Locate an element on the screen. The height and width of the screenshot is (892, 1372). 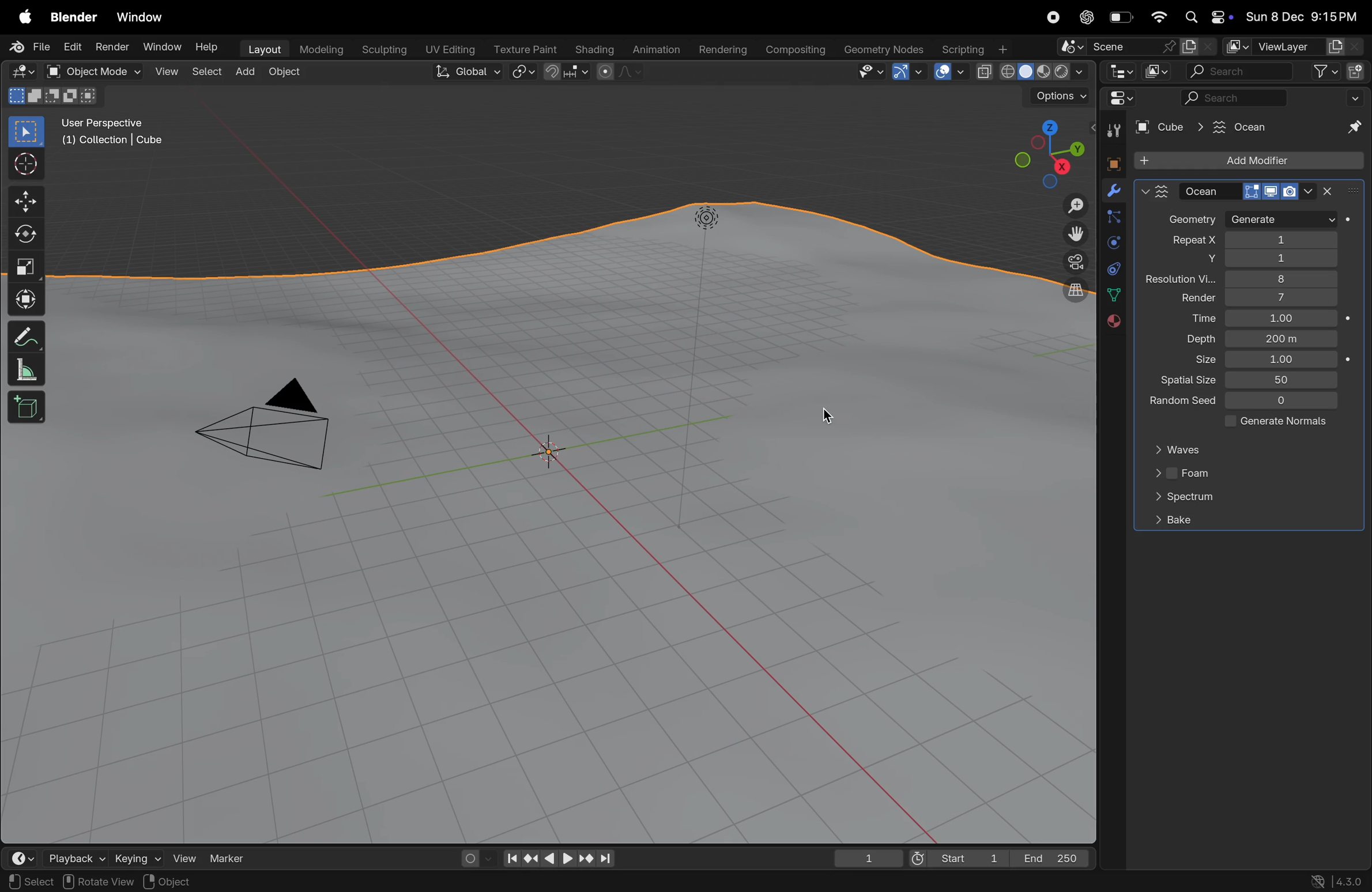
Cube is located at coordinates (1162, 127).